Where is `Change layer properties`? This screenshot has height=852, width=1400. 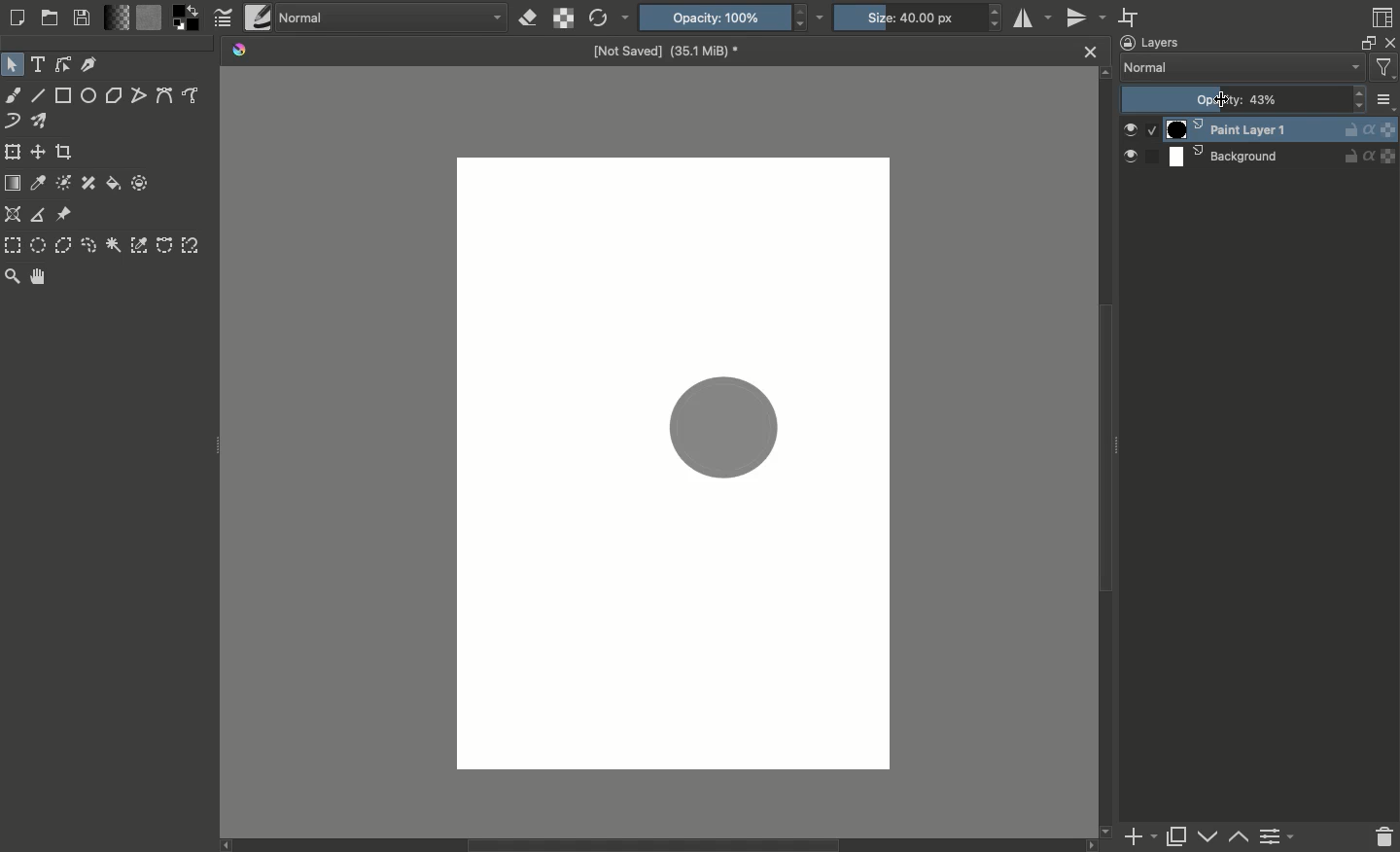 Change layer properties is located at coordinates (1278, 837).